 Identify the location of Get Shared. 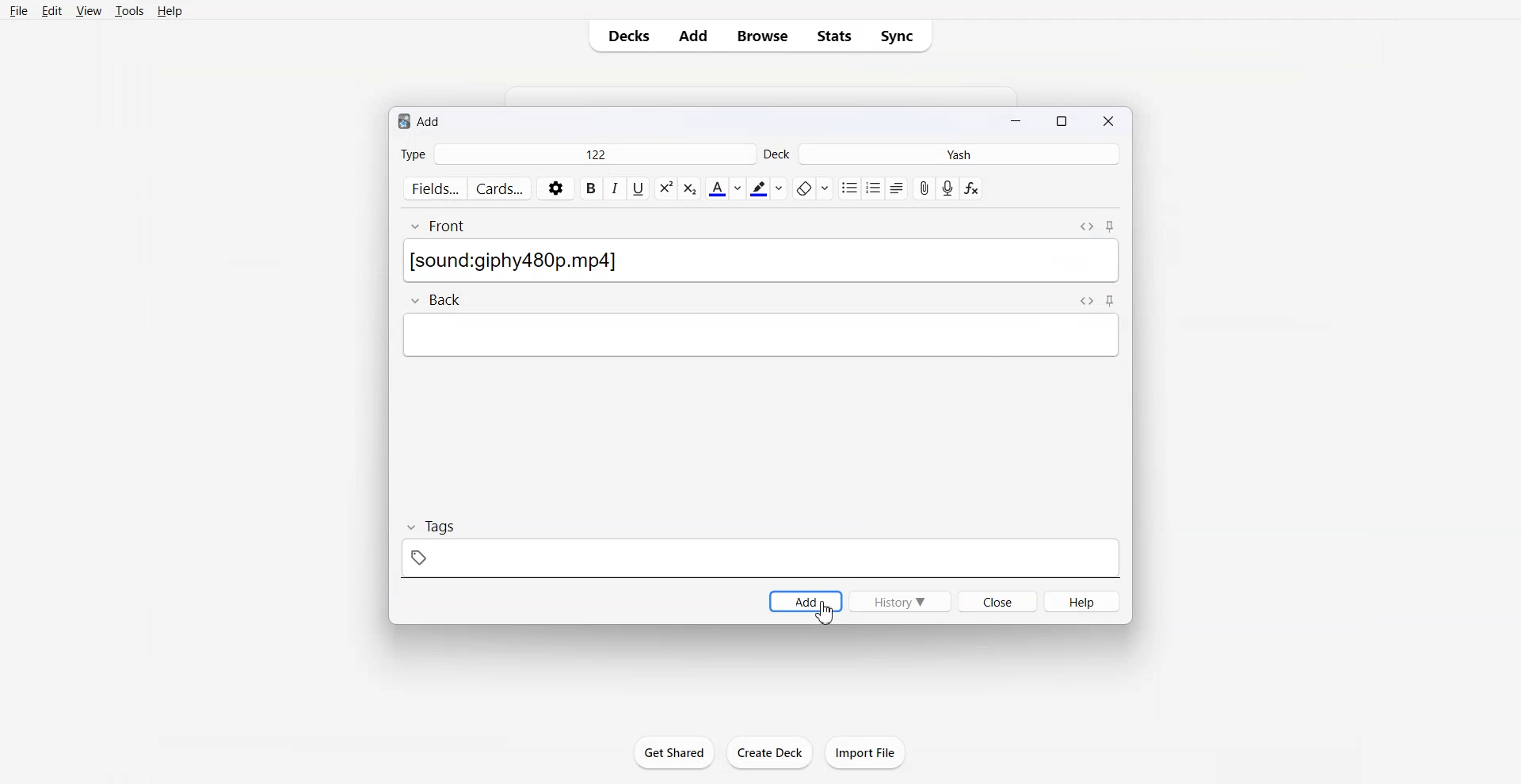
(674, 751).